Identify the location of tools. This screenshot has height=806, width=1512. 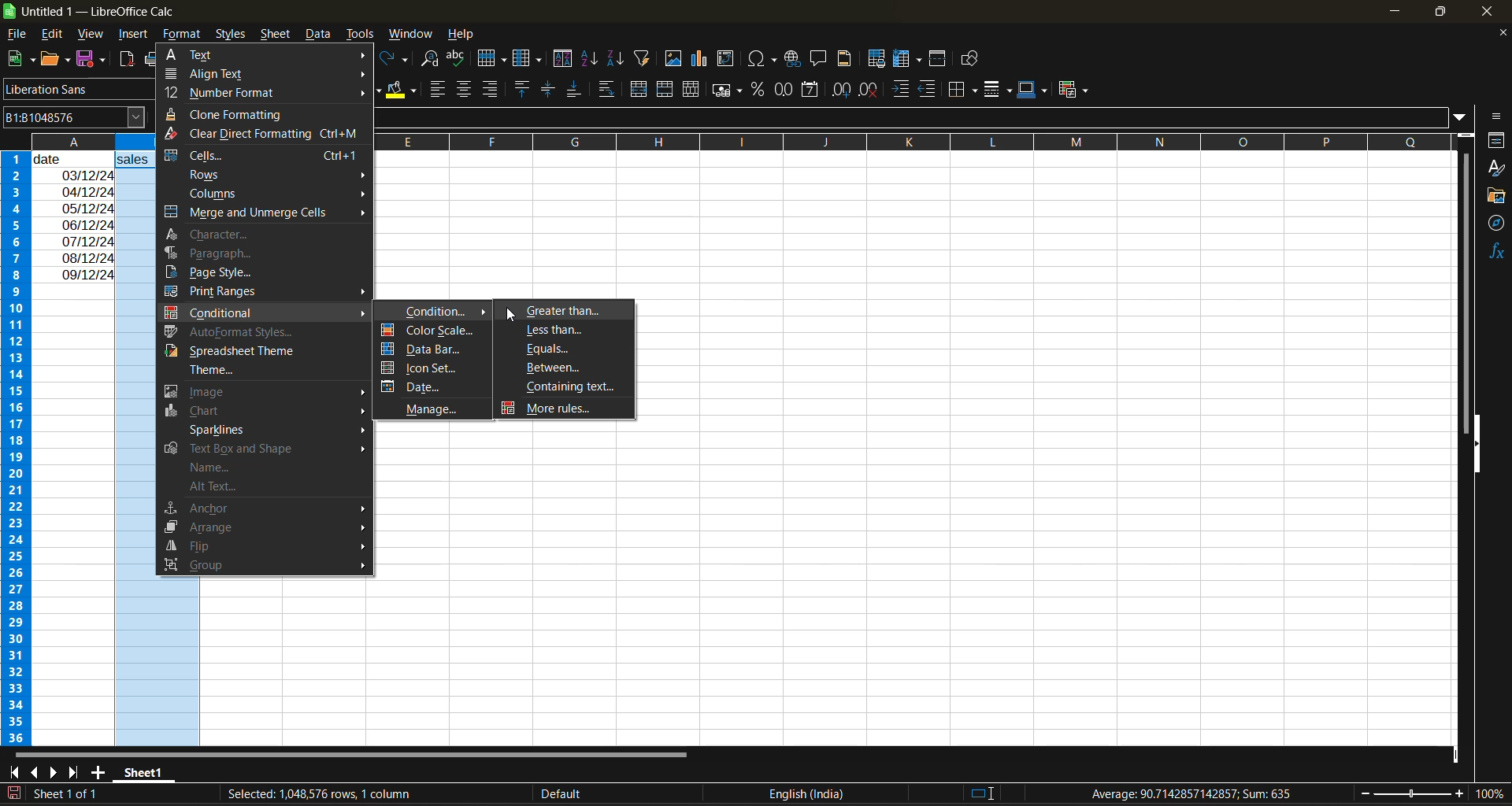
(359, 33).